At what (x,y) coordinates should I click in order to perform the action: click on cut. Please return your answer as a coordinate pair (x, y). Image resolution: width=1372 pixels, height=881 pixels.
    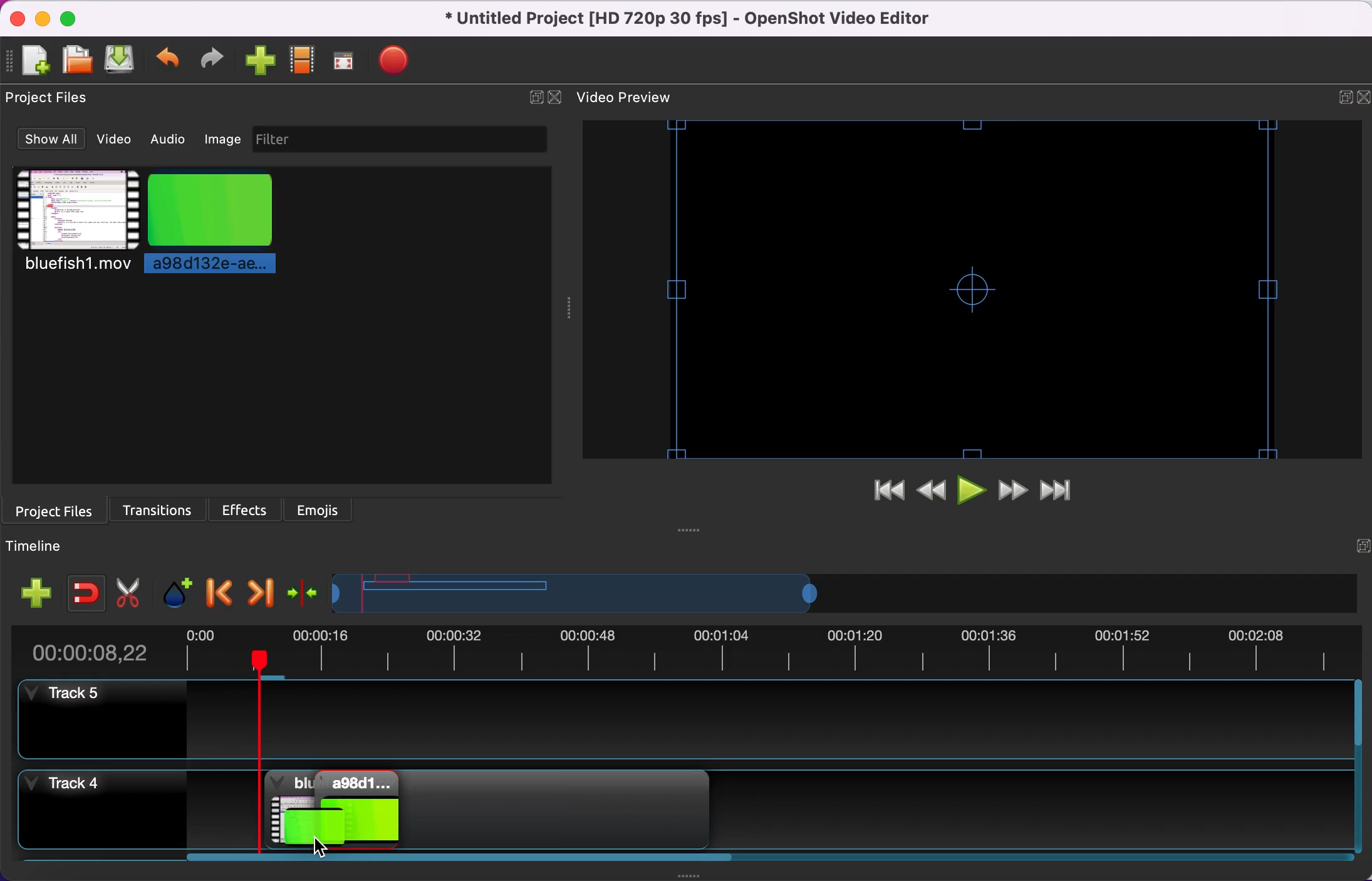
    Looking at the image, I should click on (130, 590).